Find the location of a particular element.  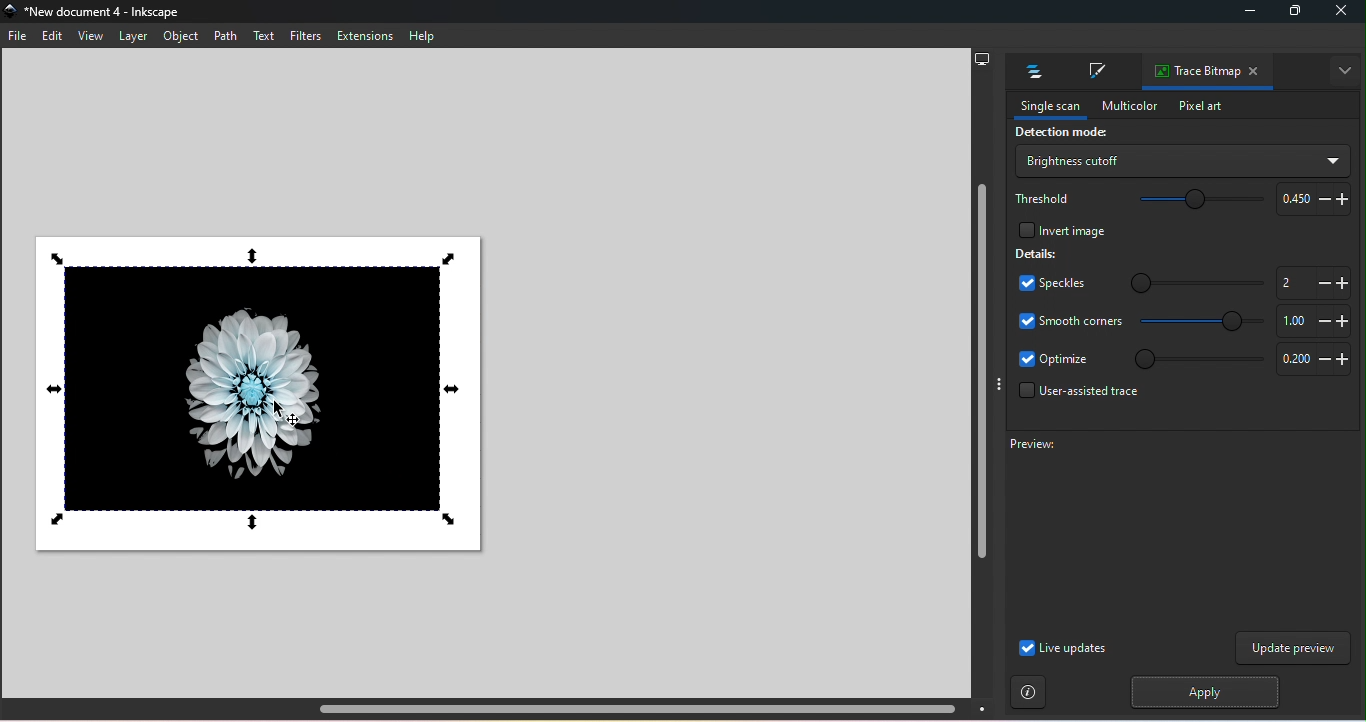

Vertical scroll bar is located at coordinates (980, 385).